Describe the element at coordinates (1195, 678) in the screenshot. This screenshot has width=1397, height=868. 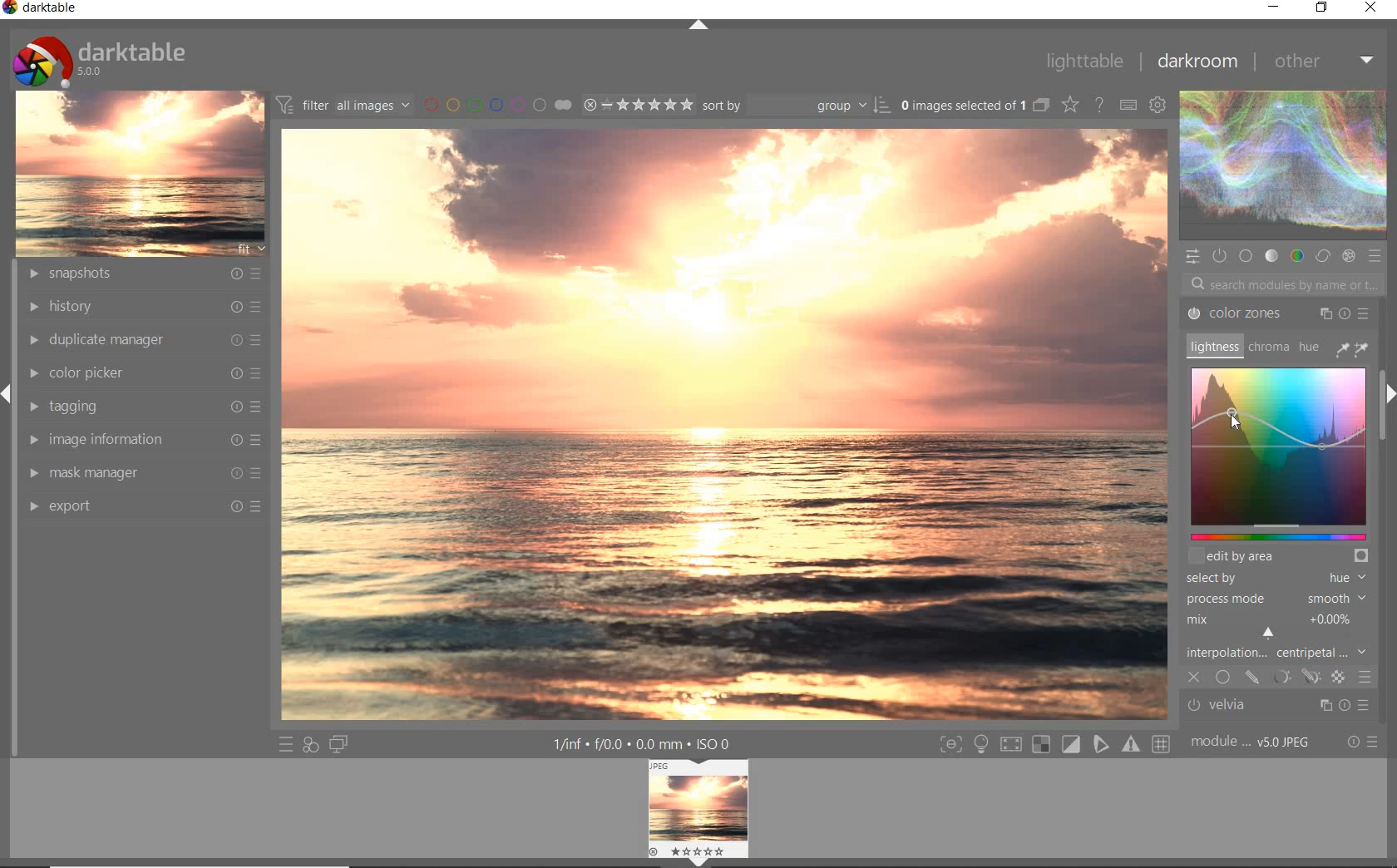
I see `CLOSE` at that location.